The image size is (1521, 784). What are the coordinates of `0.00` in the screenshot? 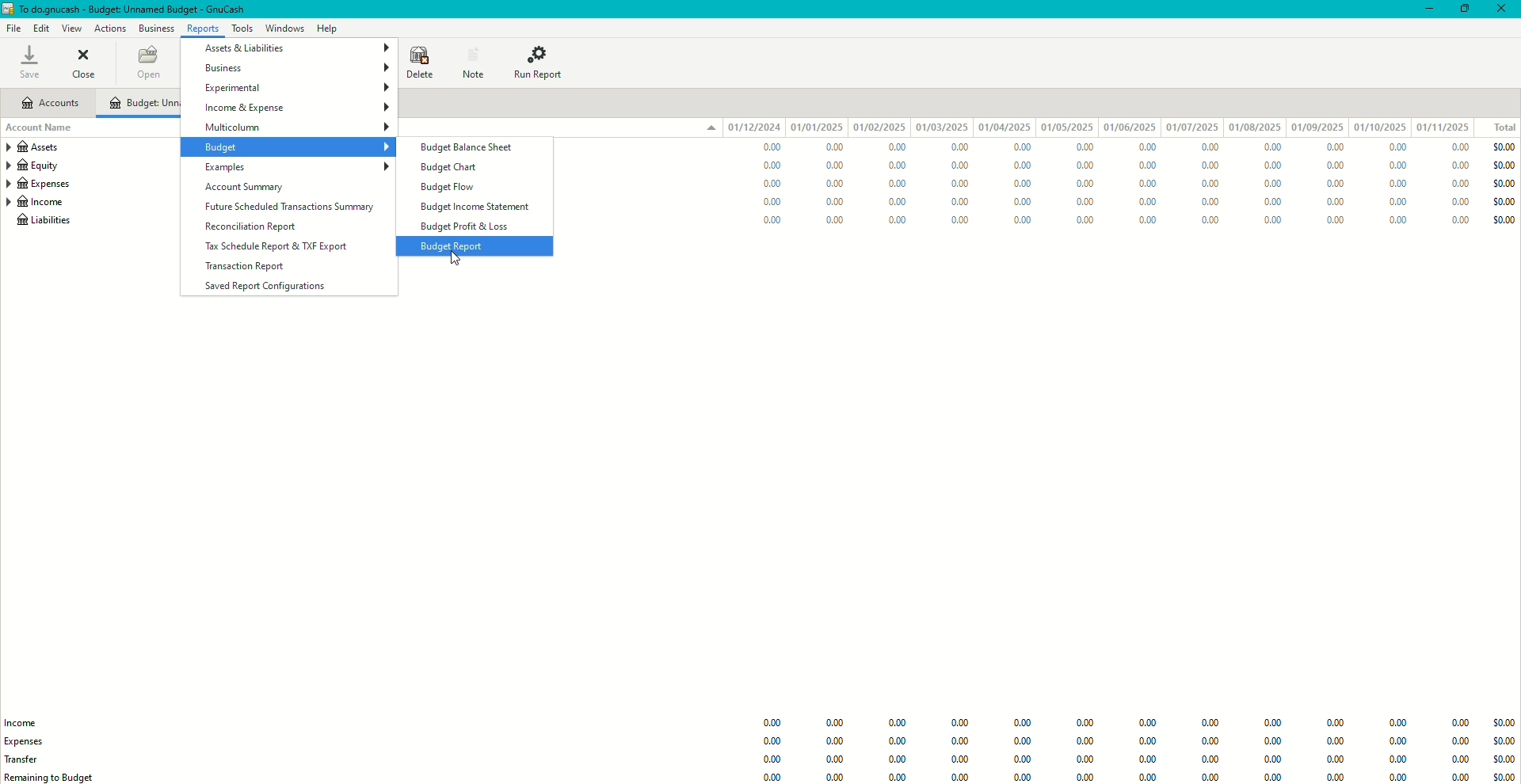 It's located at (951, 148).